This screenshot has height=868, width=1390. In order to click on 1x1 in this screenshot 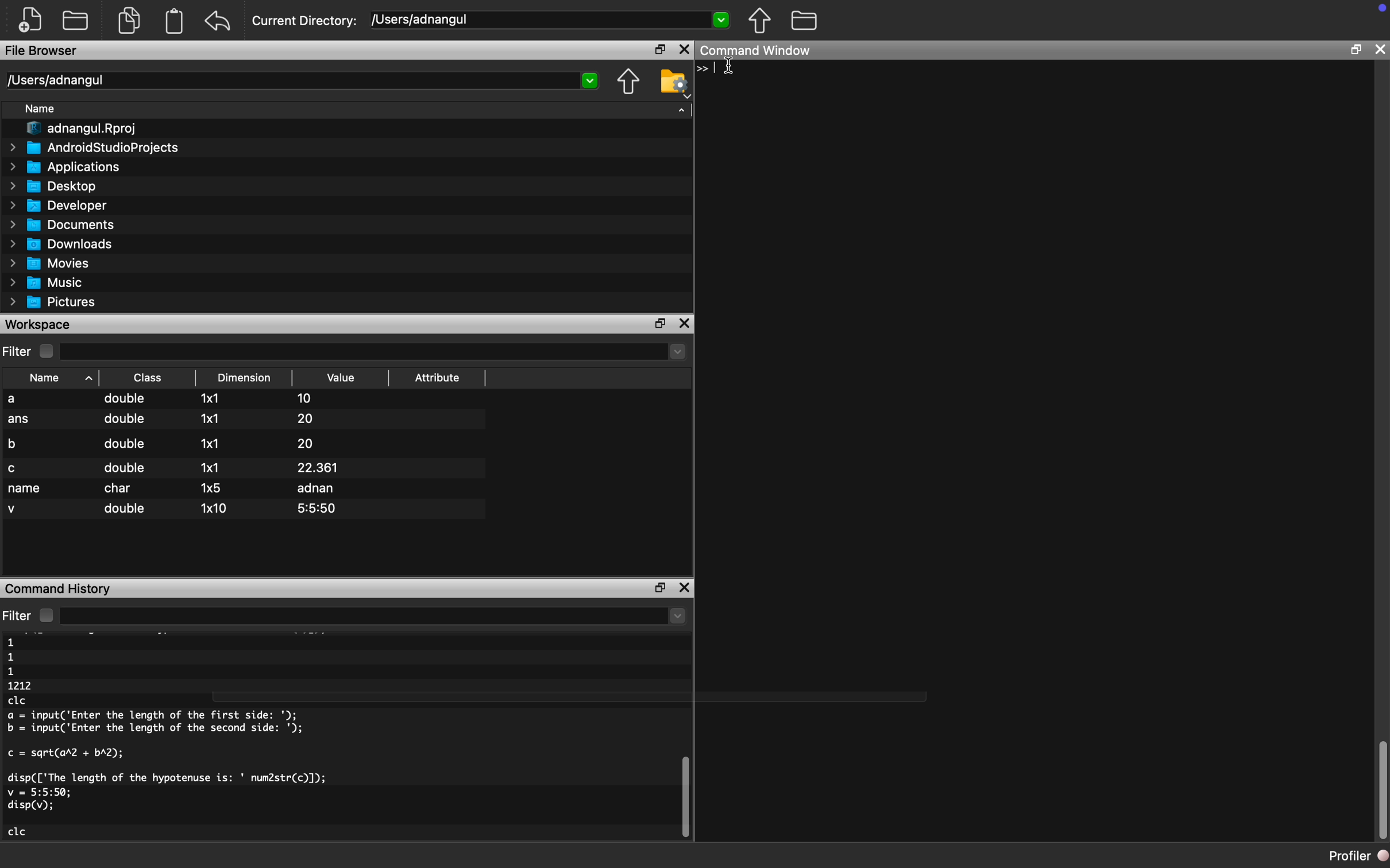, I will do `click(213, 468)`.